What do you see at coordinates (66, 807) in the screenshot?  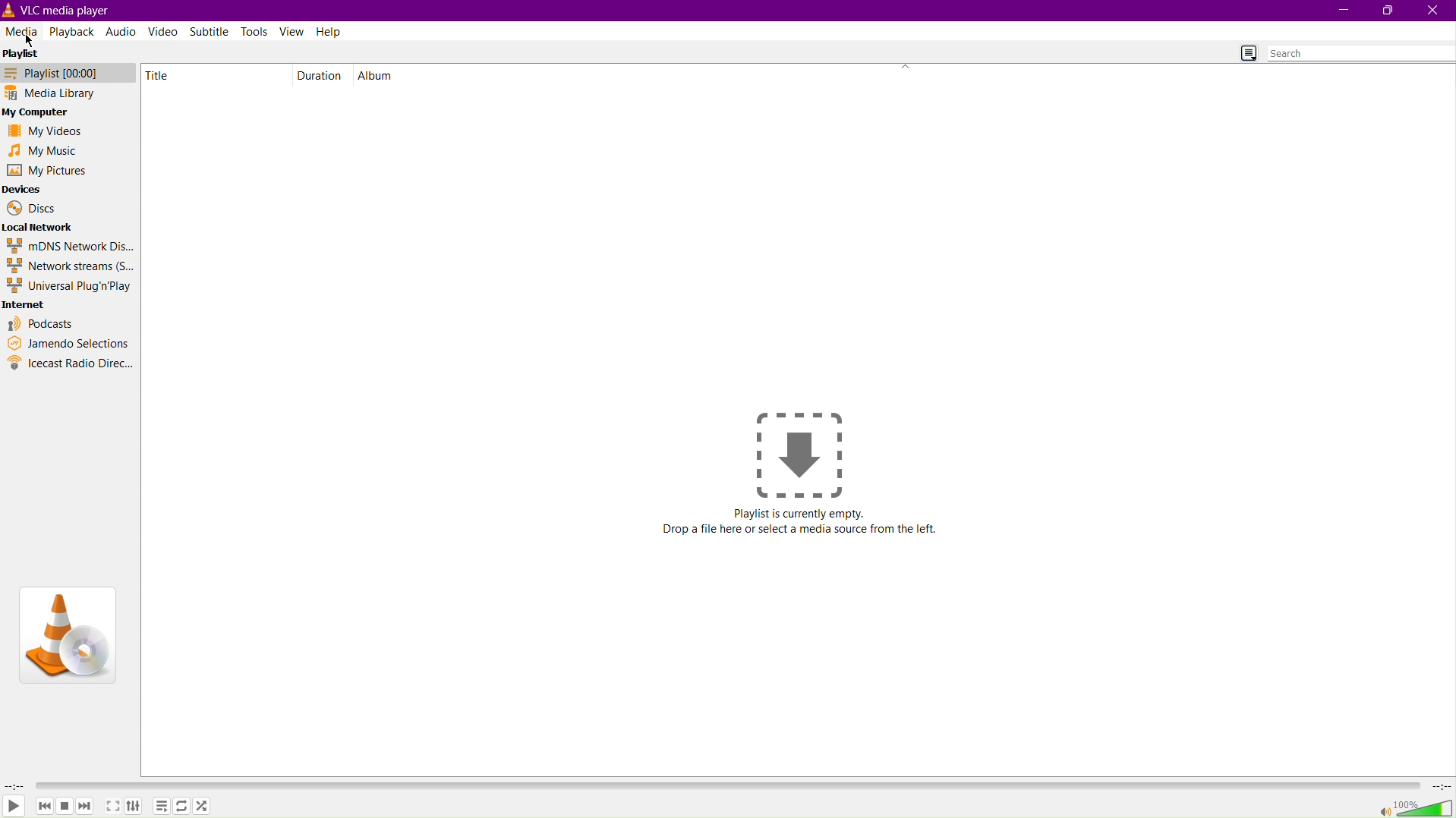 I see `Stop` at bounding box center [66, 807].